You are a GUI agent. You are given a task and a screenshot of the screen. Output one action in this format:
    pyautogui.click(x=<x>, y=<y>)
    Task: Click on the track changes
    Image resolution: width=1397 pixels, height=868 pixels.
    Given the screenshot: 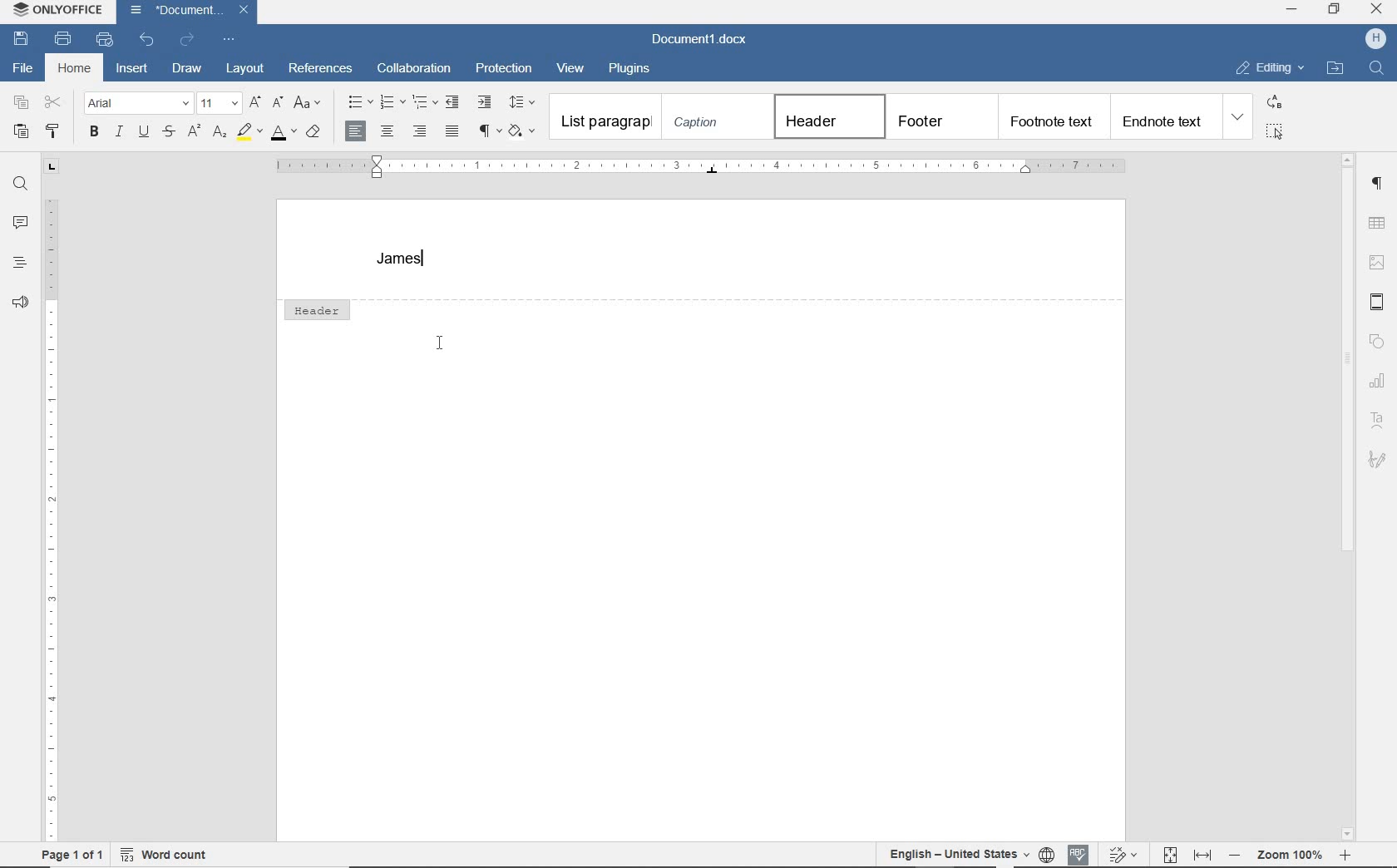 What is the action you would take?
    pyautogui.click(x=1122, y=853)
    